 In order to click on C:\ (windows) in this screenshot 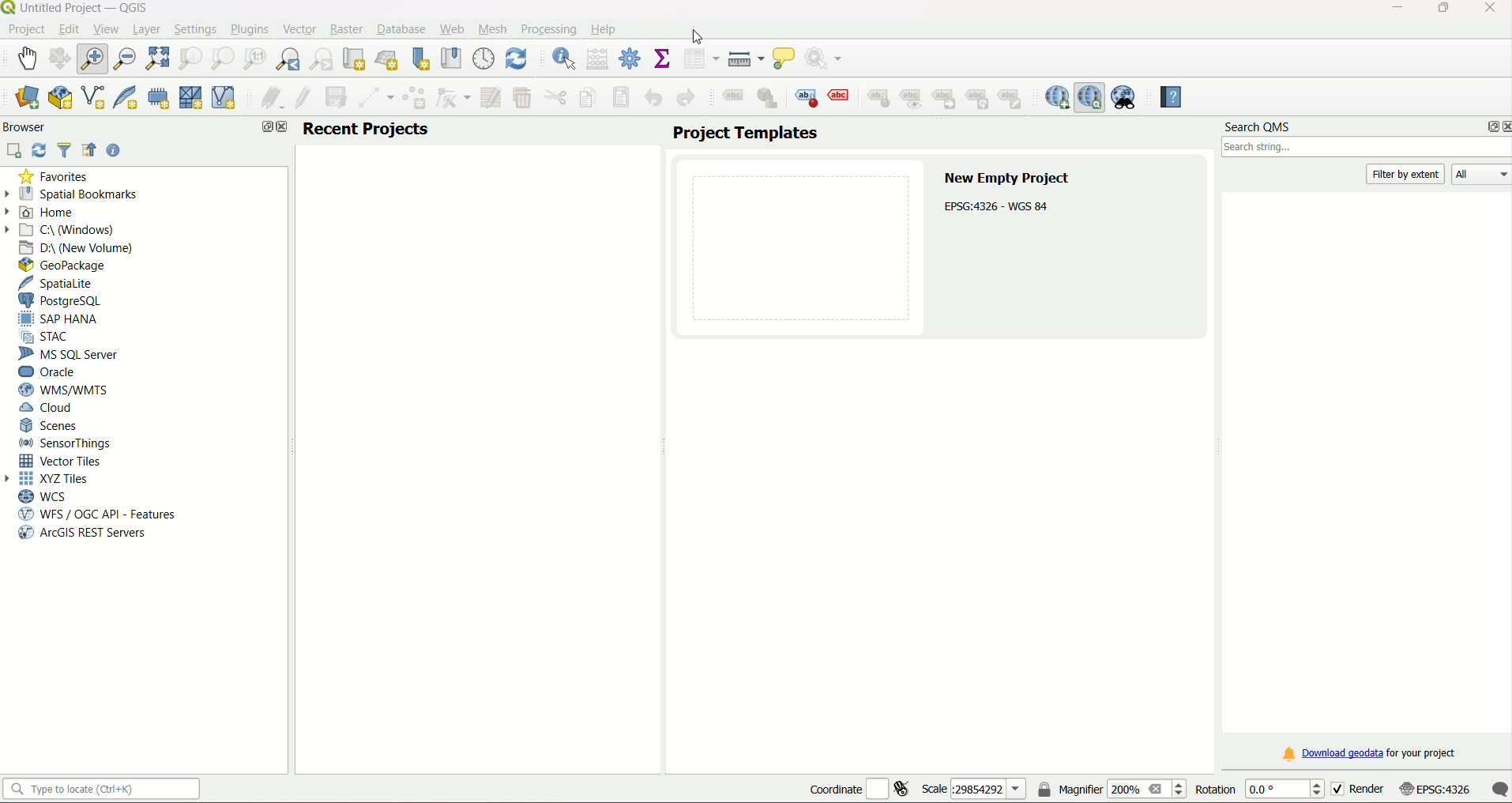, I will do `click(70, 229)`.